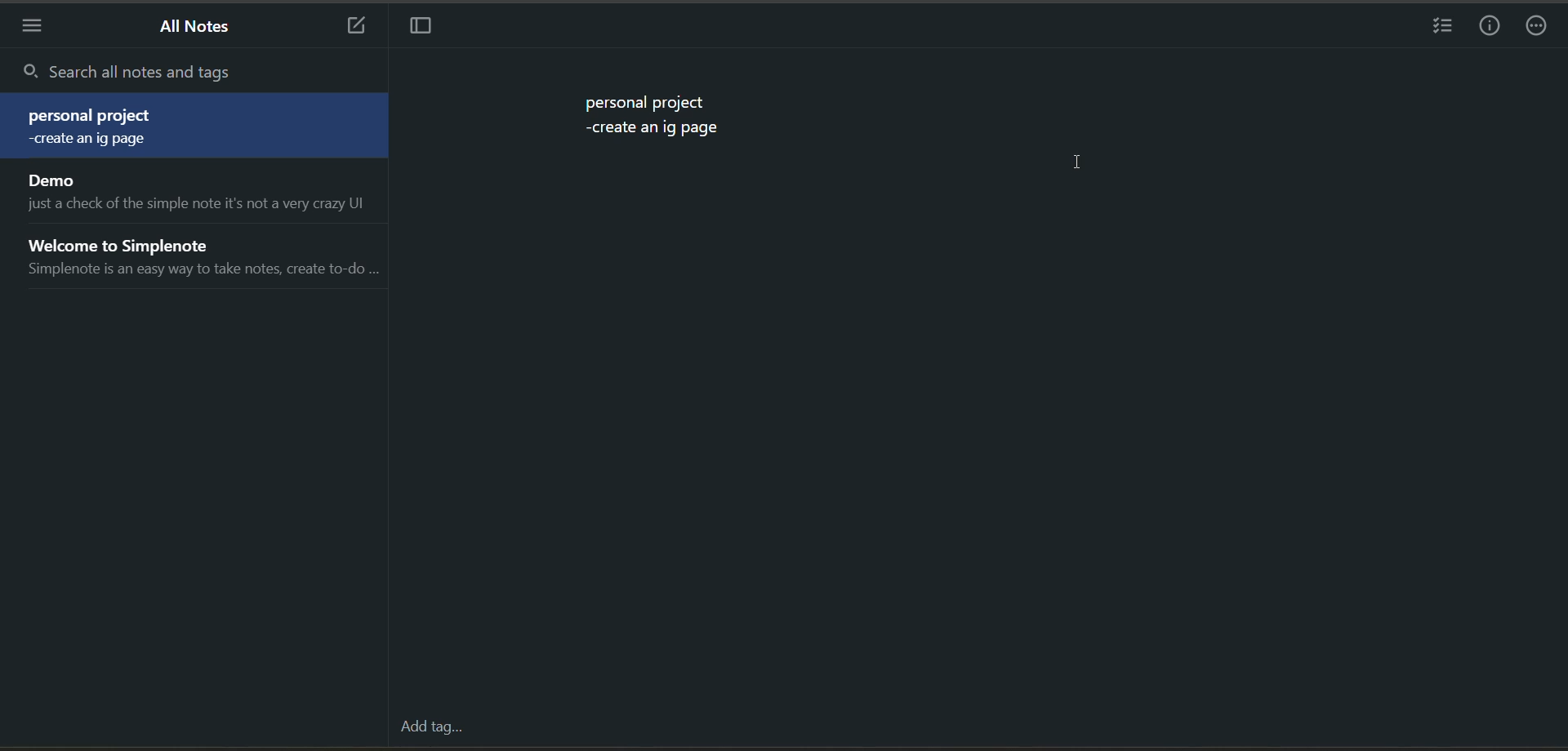  Describe the element at coordinates (1543, 28) in the screenshot. I see `actions` at that location.